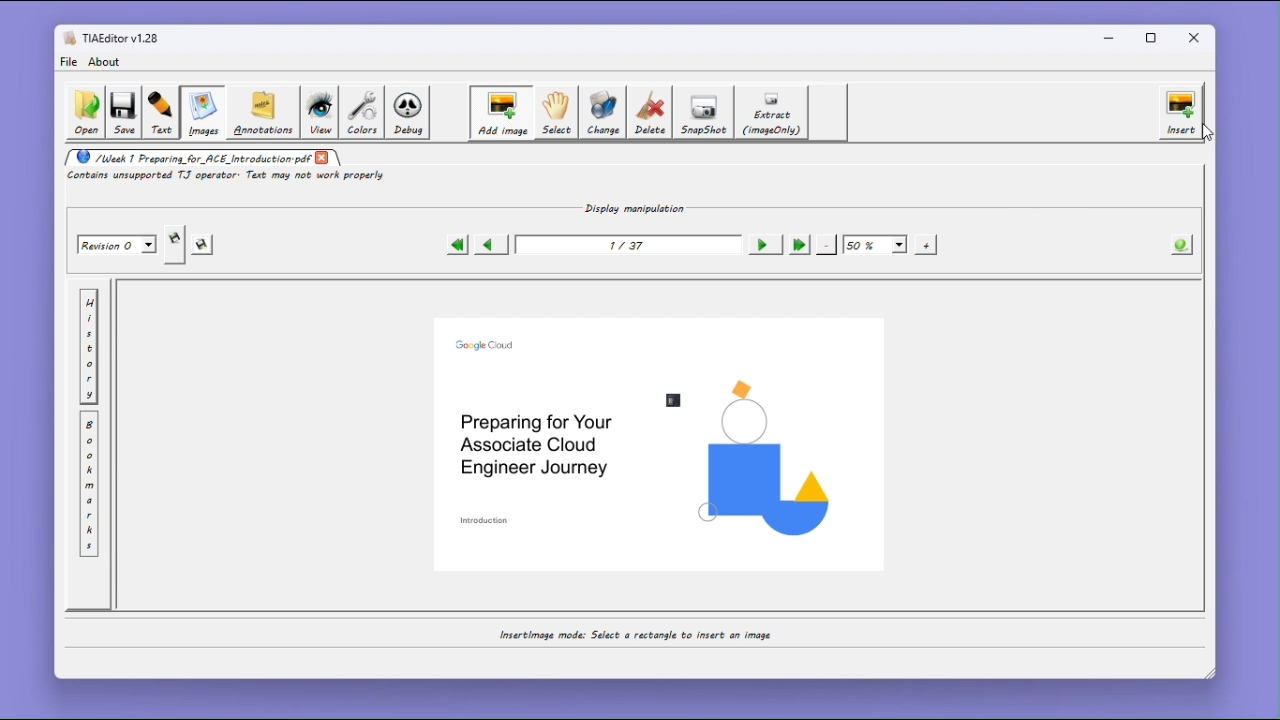 This screenshot has width=1280, height=720. What do you see at coordinates (555, 113) in the screenshot?
I see `Select ` at bounding box center [555, 113].